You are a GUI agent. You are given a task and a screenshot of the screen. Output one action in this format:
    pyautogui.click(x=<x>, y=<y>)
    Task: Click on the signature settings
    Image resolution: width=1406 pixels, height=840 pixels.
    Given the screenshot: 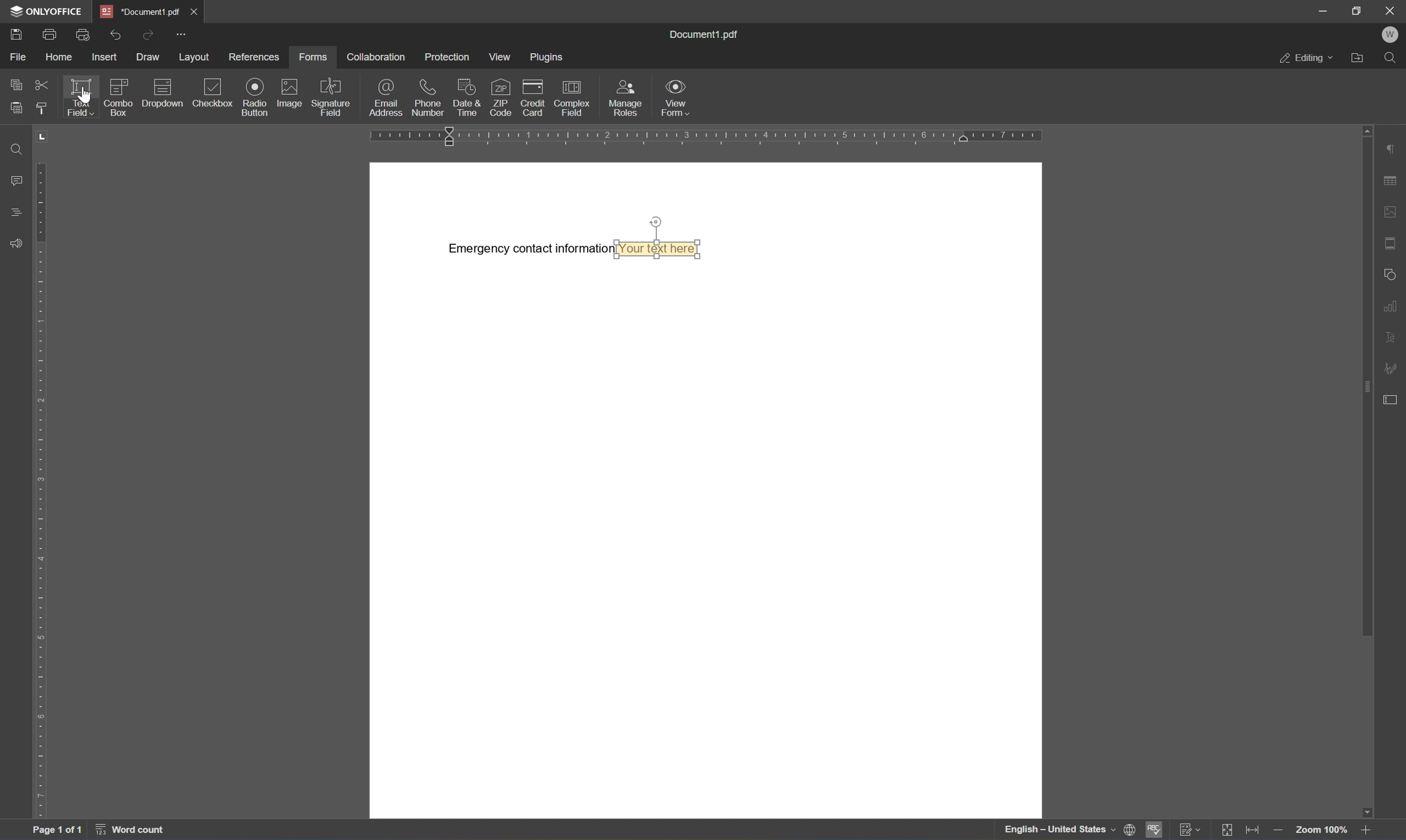 What is the action you would take?
    pyautogui.click(x=1395, y=366)
    